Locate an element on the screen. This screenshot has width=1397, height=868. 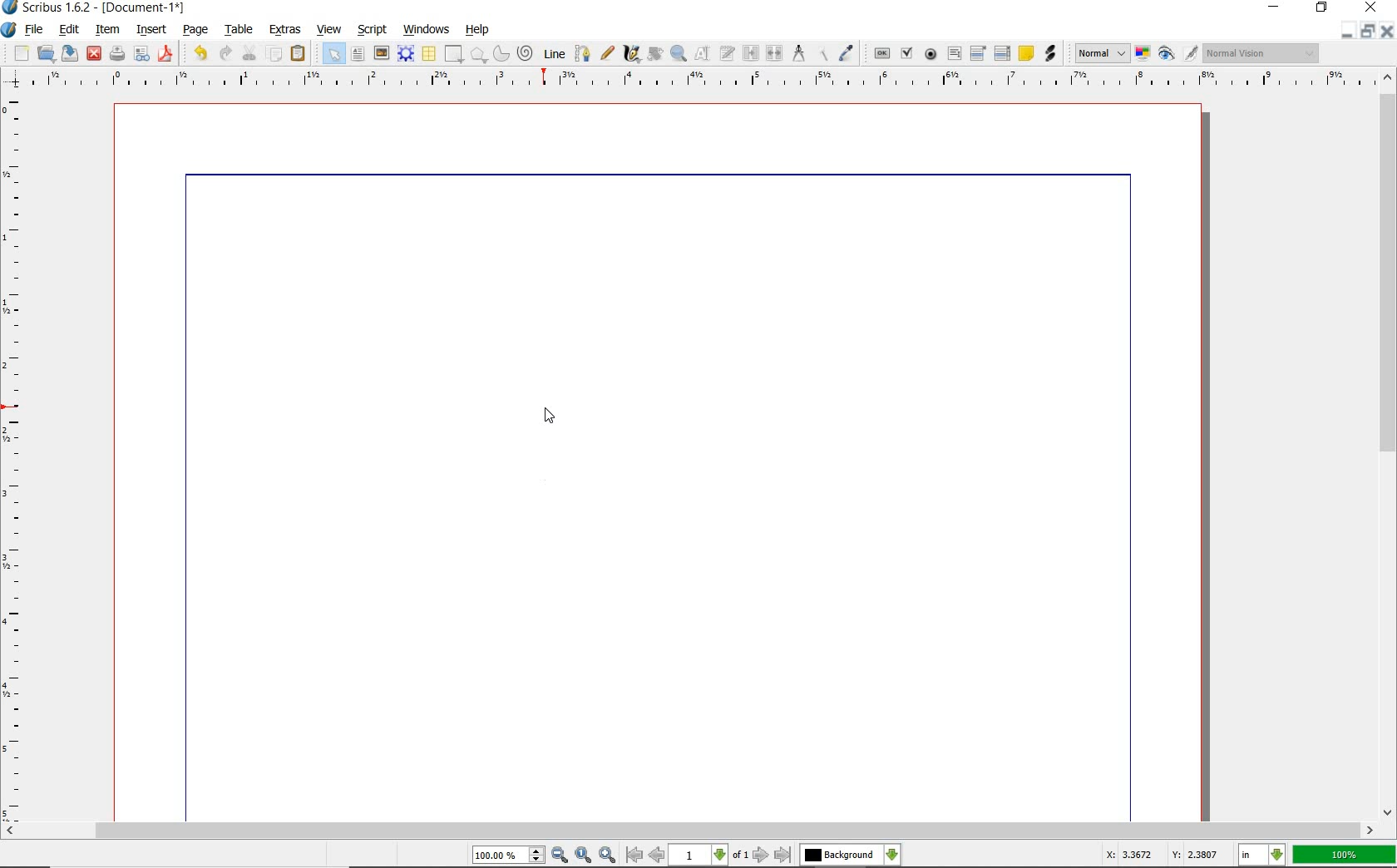
text annotation is located at coordinates (1026, 54).